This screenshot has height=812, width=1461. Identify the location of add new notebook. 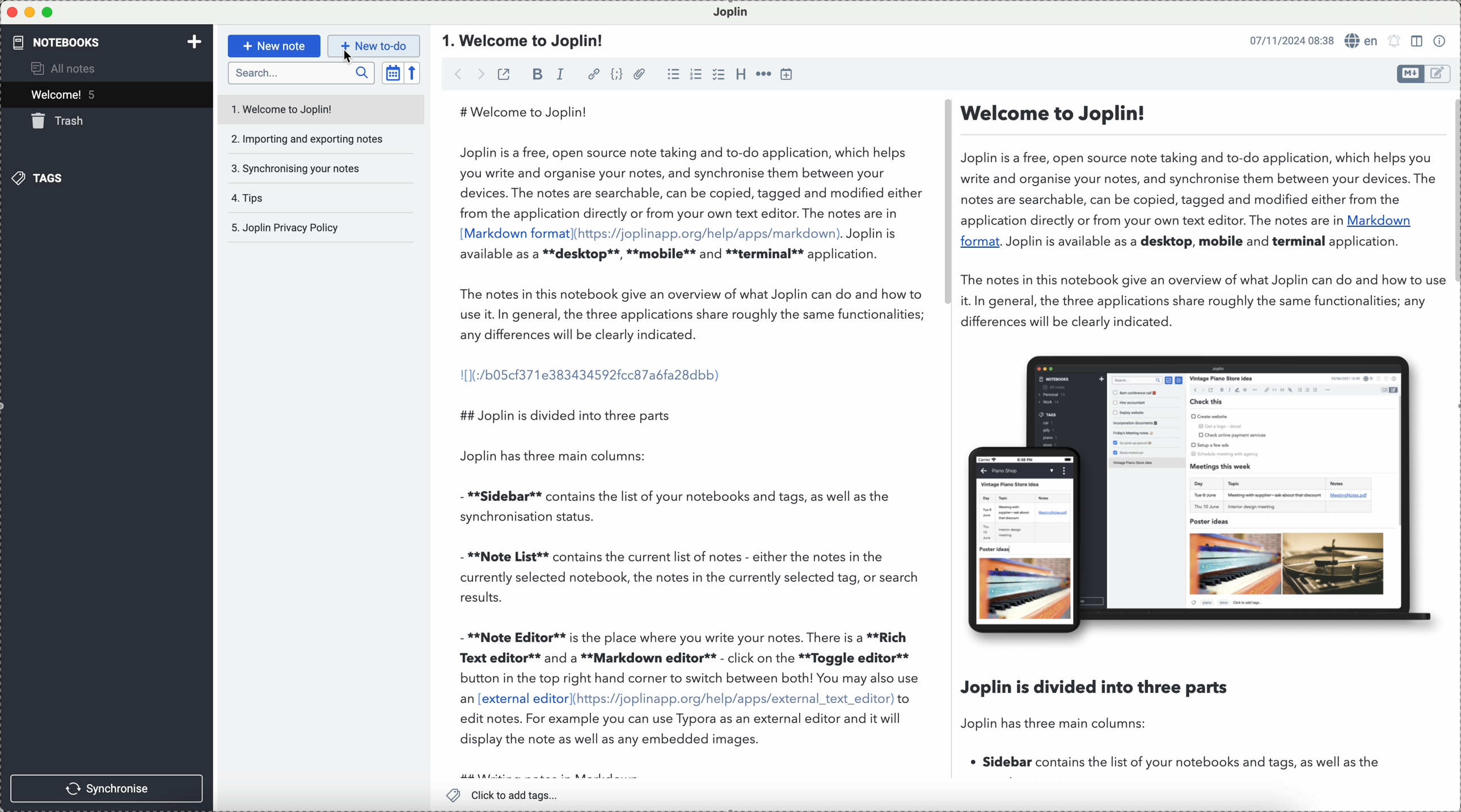
(195, 43).